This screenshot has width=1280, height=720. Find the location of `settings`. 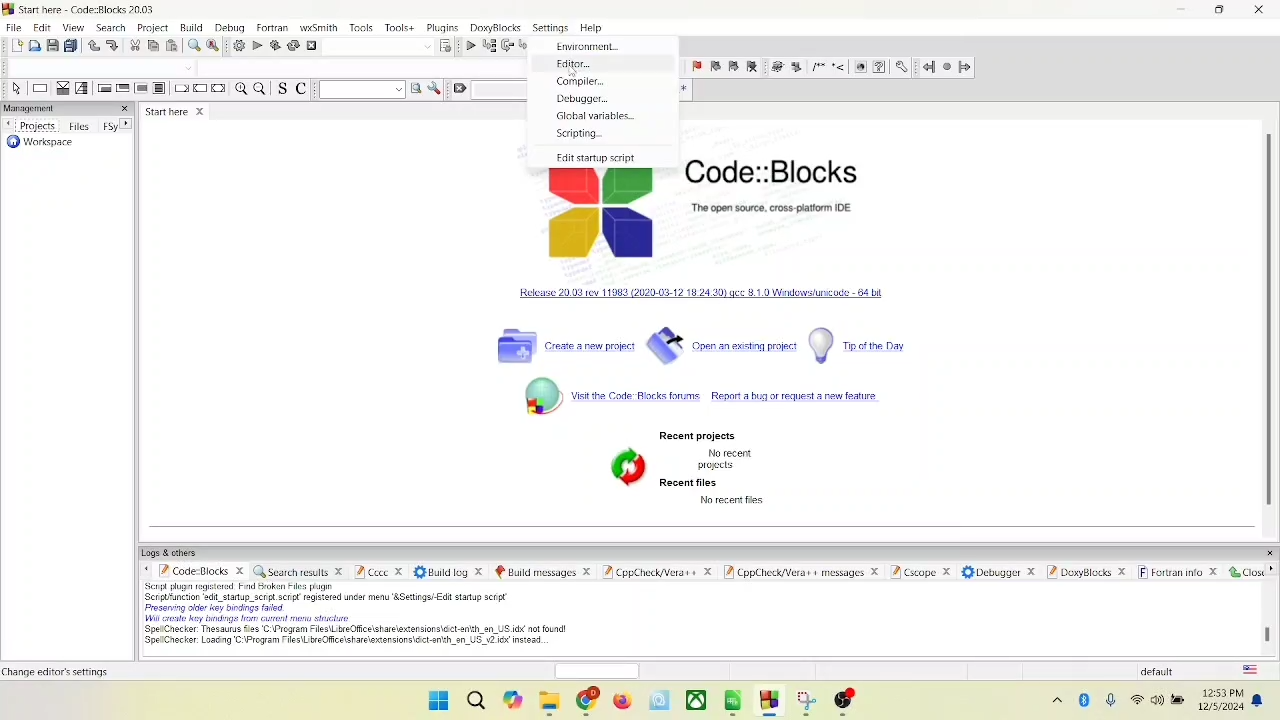

settings is located at coordinates (900, 66).